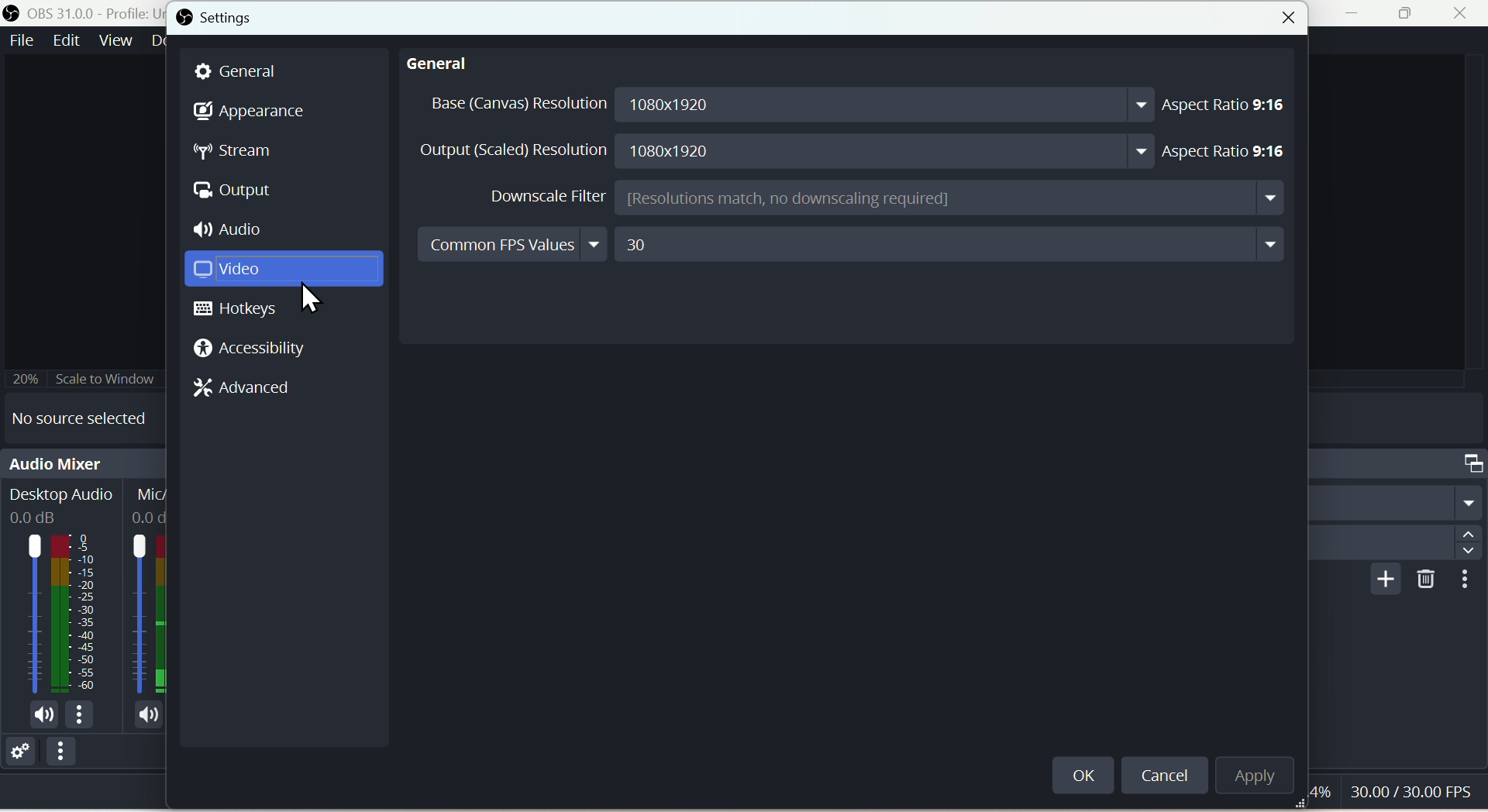 Image resolution: width=1488 pixels, height=812 pixels. Describe the element at coordinates (18, 749) in the screenshot. I see `Settings` at that location.